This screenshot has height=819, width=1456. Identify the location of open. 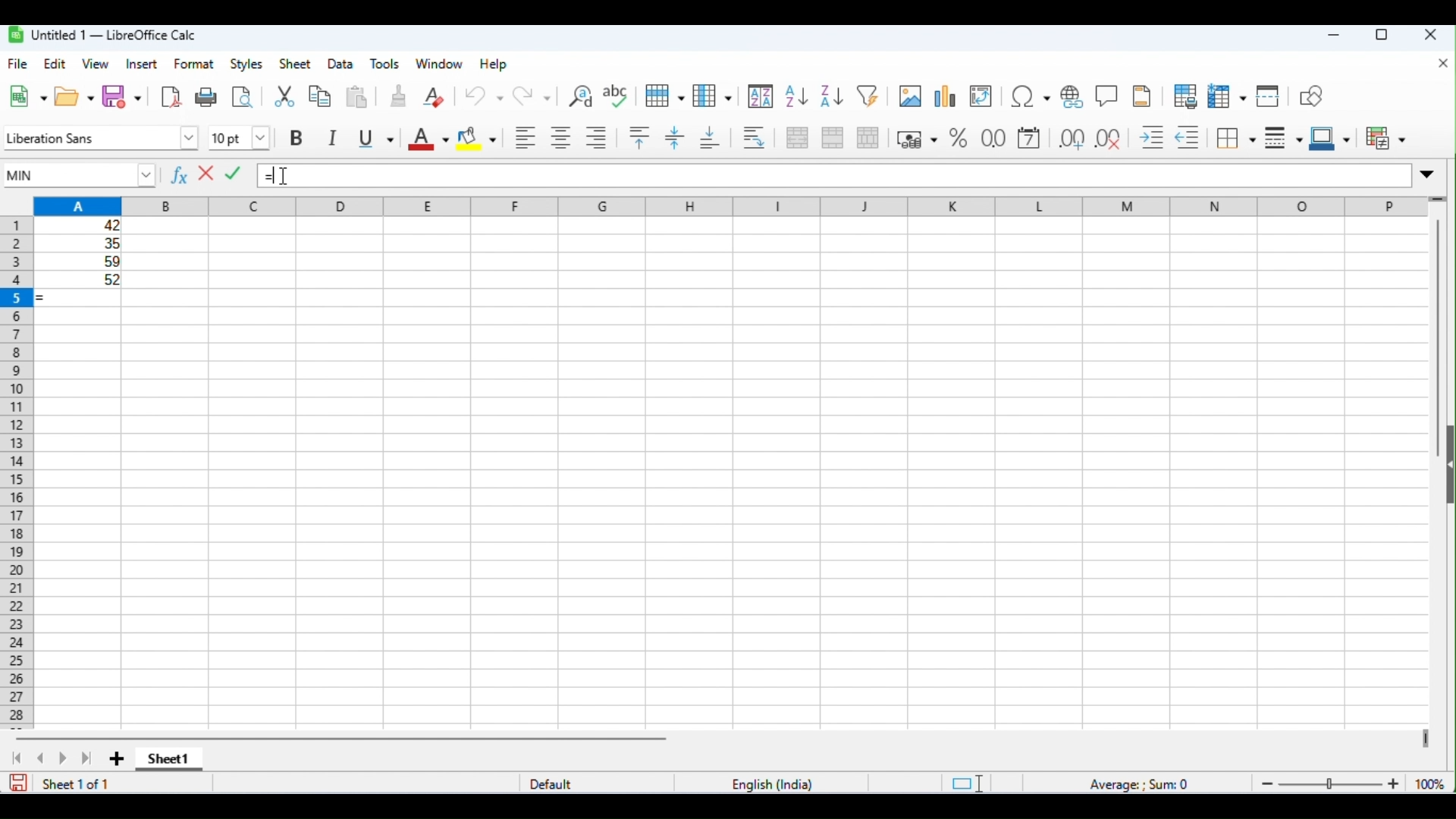
(74, 97).